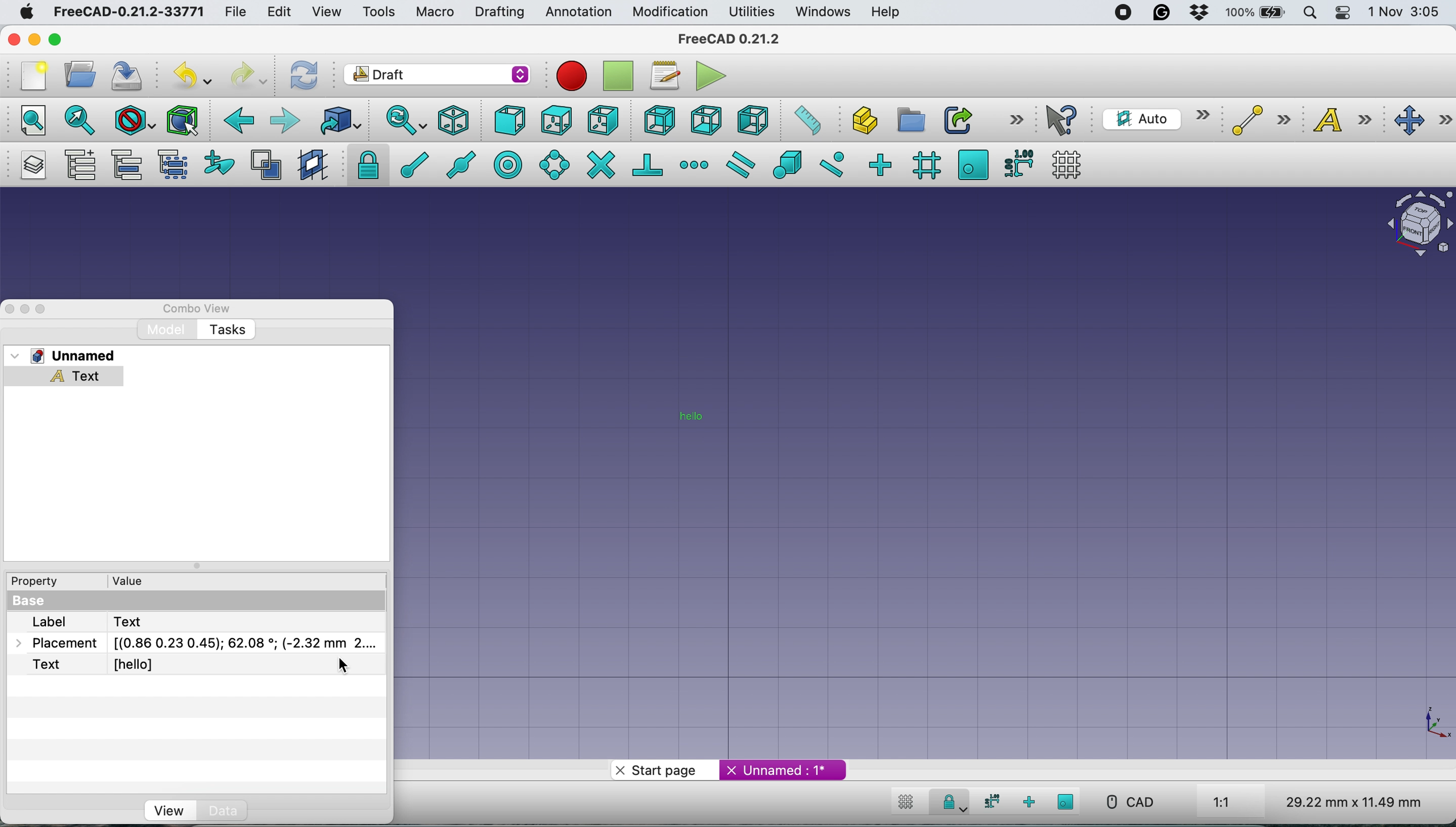 This screenshot has height=827, width=1456. What do you see at coordinates (134, 122) in the screenshot?
I see `draw style` at bounding box center [134, 122].